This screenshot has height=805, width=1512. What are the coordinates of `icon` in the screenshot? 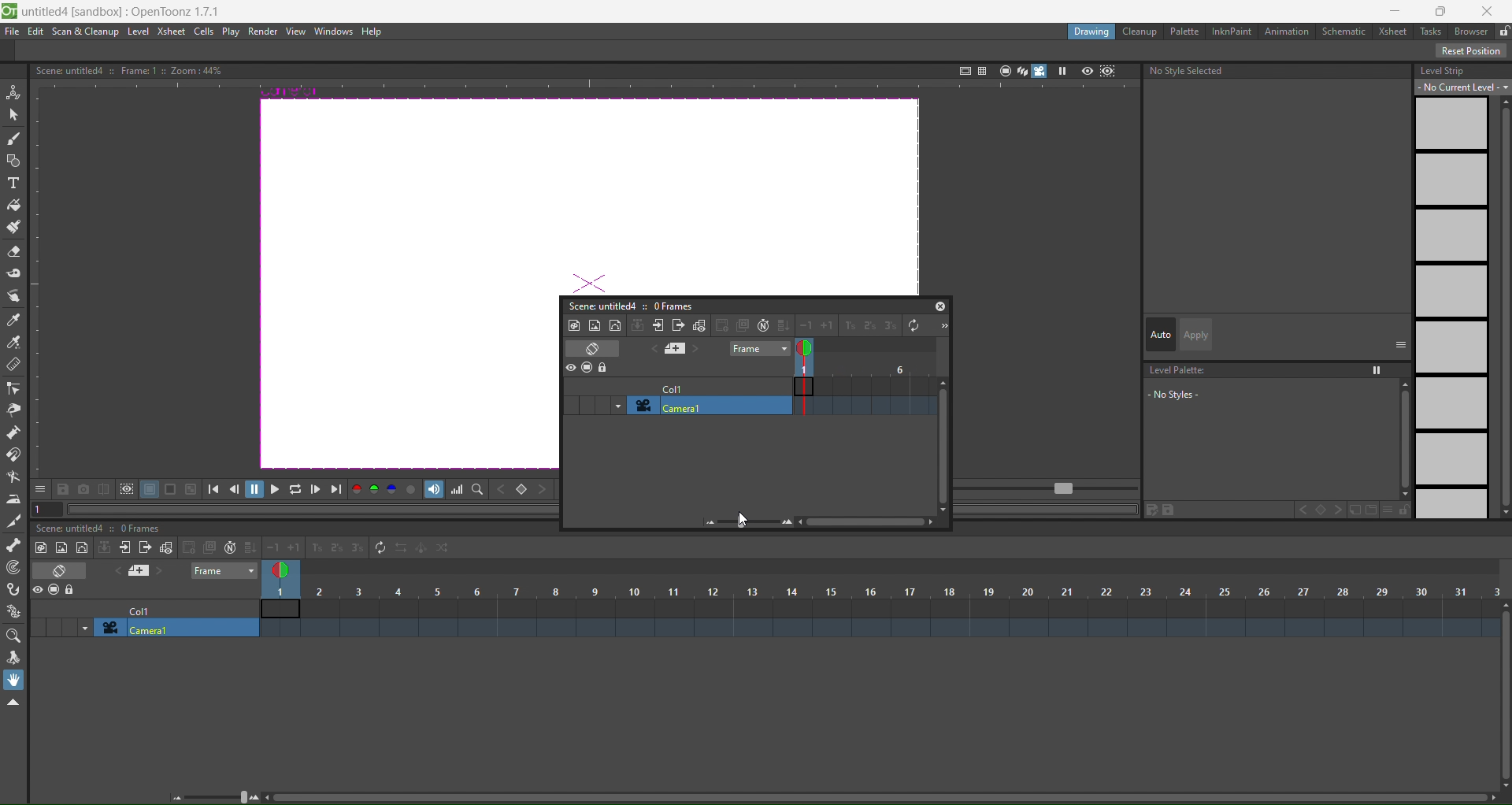 It's located at (587, 368).